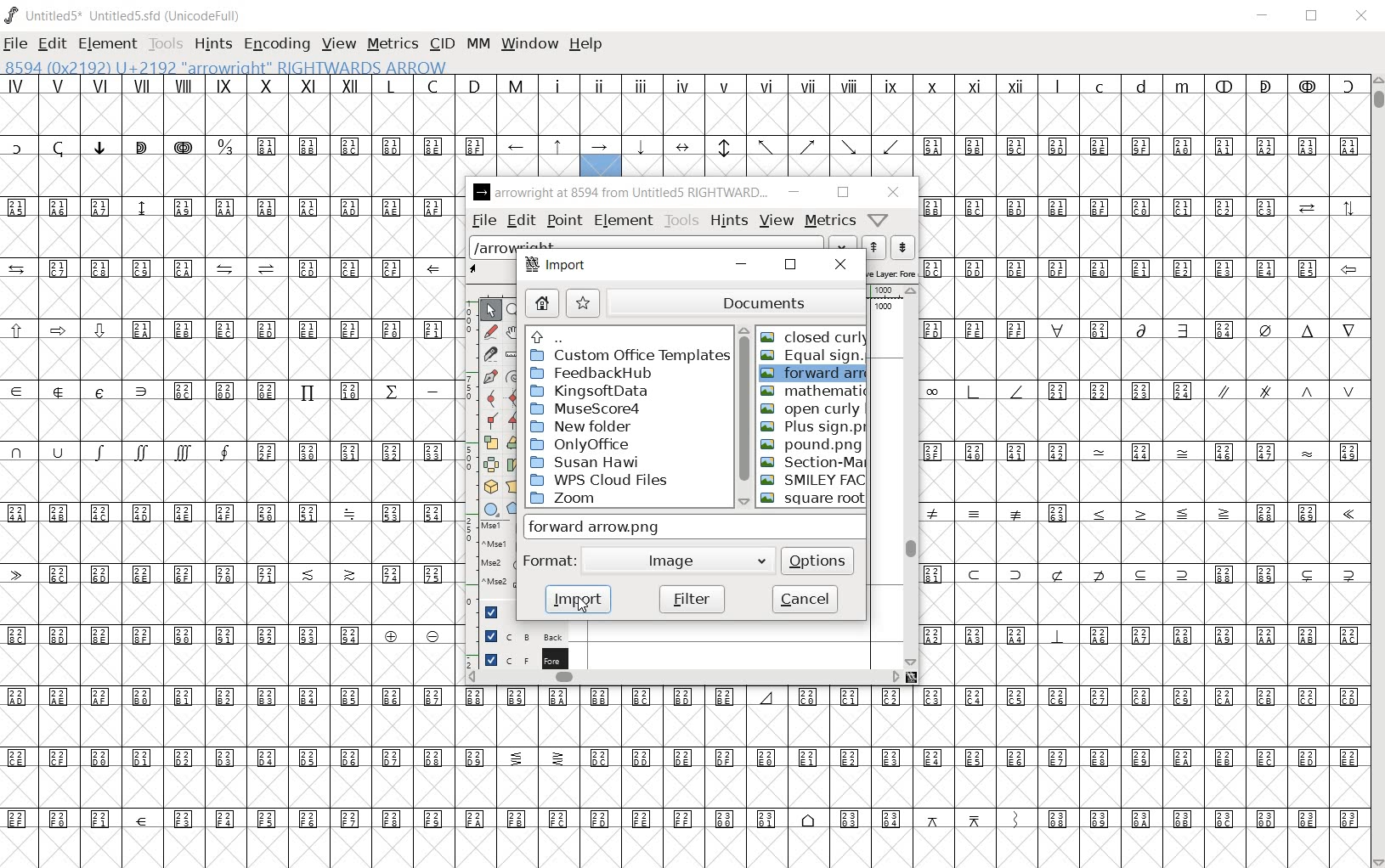  What do you see at coordinates (601, 479) in the screenshot?
I see `WPS Cloud Files` at bounding box center [601, 479].